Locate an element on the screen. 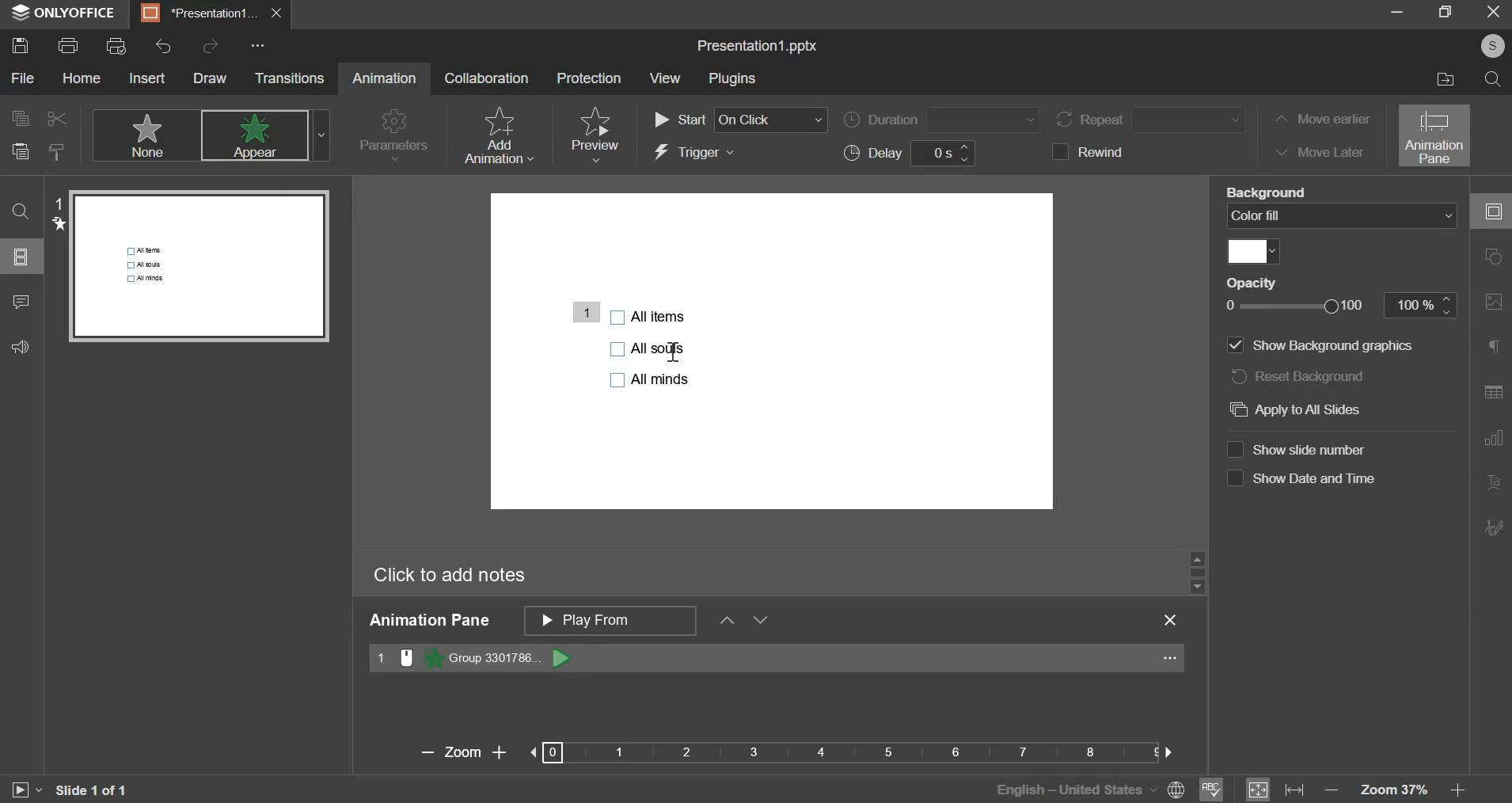  cut is located at coordinates (54, 118).